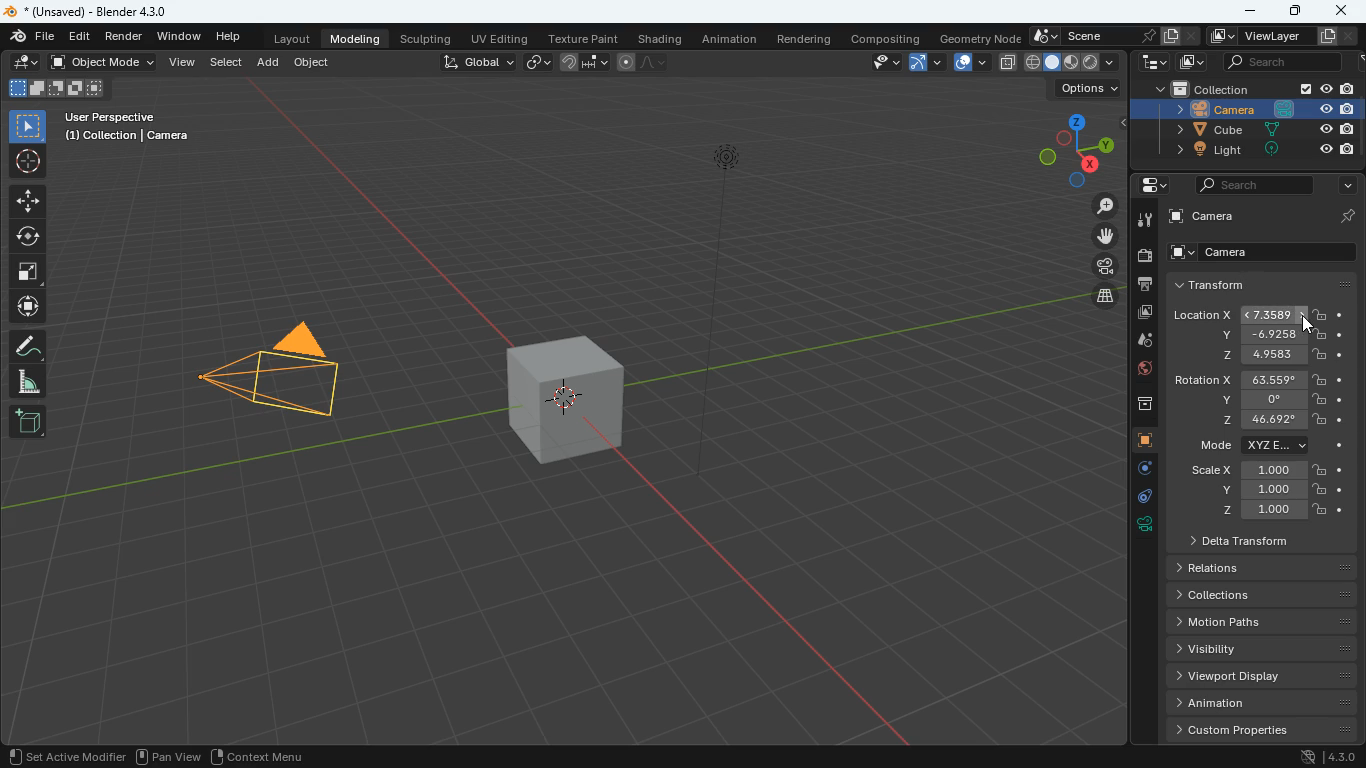 The height and width of the screenshot is (768, 1366). Describe the element at coordinates (662, 38) in the screenshot. I see `shading` at that location.